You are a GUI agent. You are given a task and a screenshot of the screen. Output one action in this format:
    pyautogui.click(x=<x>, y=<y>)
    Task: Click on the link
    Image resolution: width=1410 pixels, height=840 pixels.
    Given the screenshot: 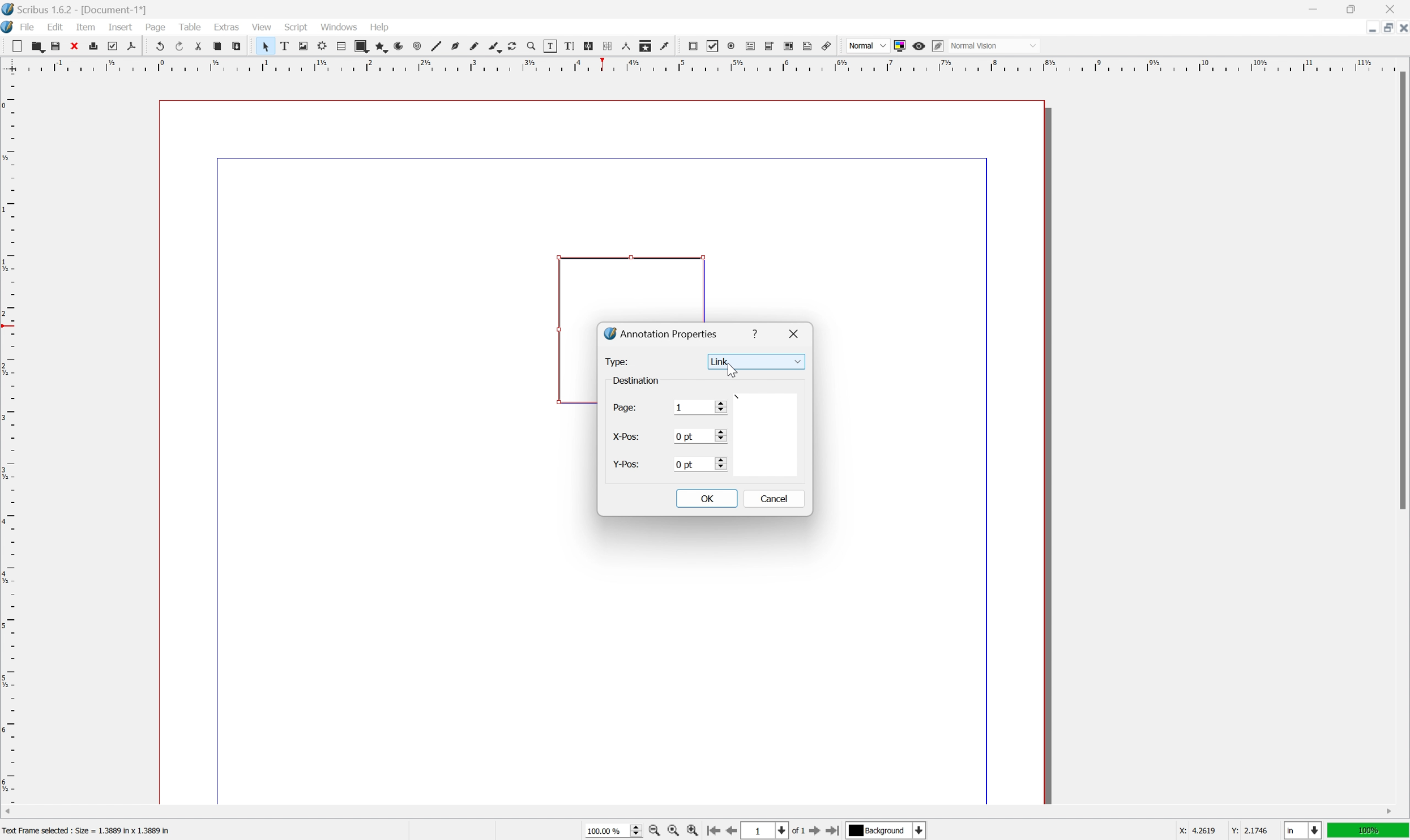 What is the action you would take?
    pyautogui.click(x=755, y=361)
    